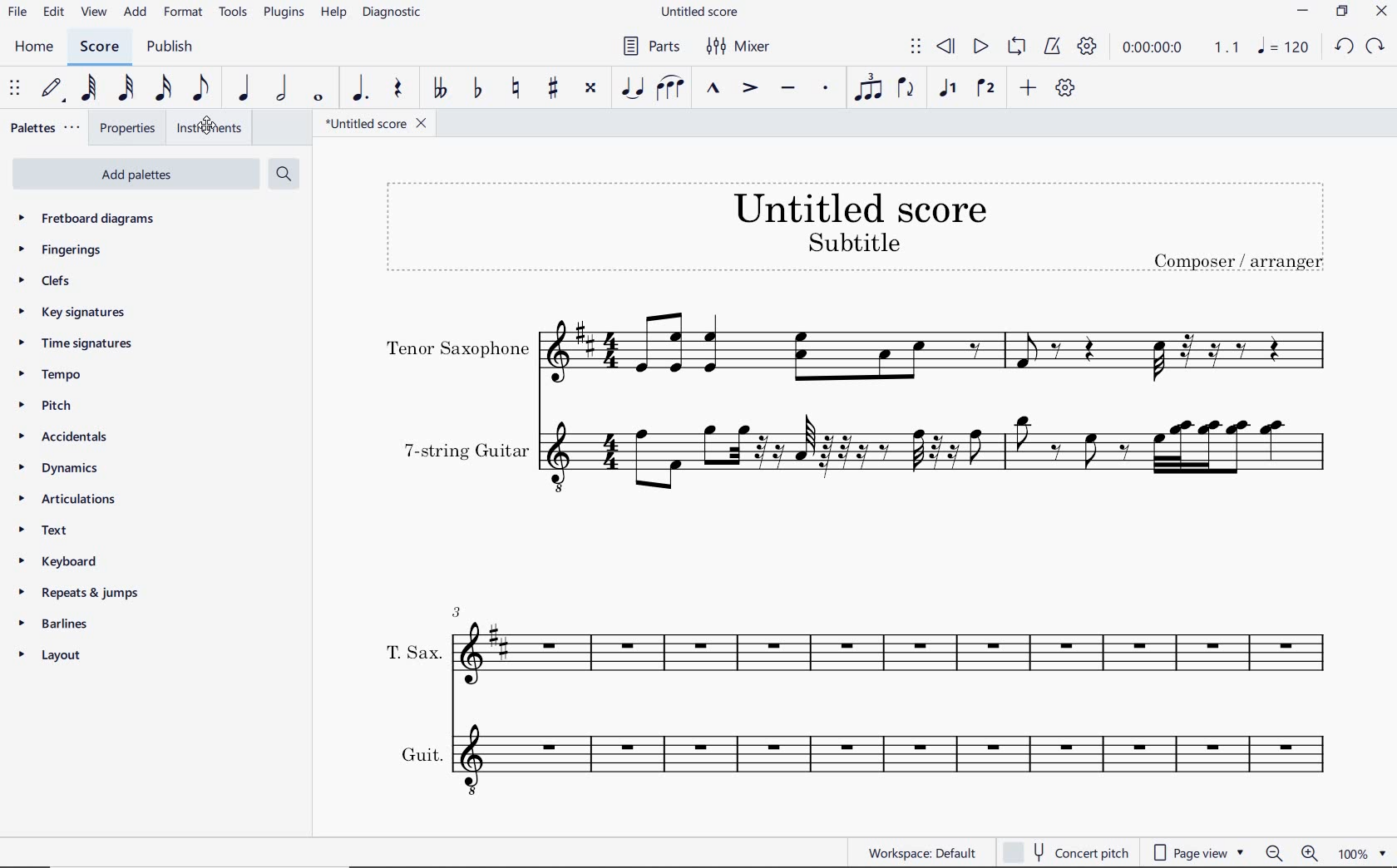  What do you see at coordinates (1374, 47) in the screenshot?
I see `REDO` at bounding box center [1374, 47].